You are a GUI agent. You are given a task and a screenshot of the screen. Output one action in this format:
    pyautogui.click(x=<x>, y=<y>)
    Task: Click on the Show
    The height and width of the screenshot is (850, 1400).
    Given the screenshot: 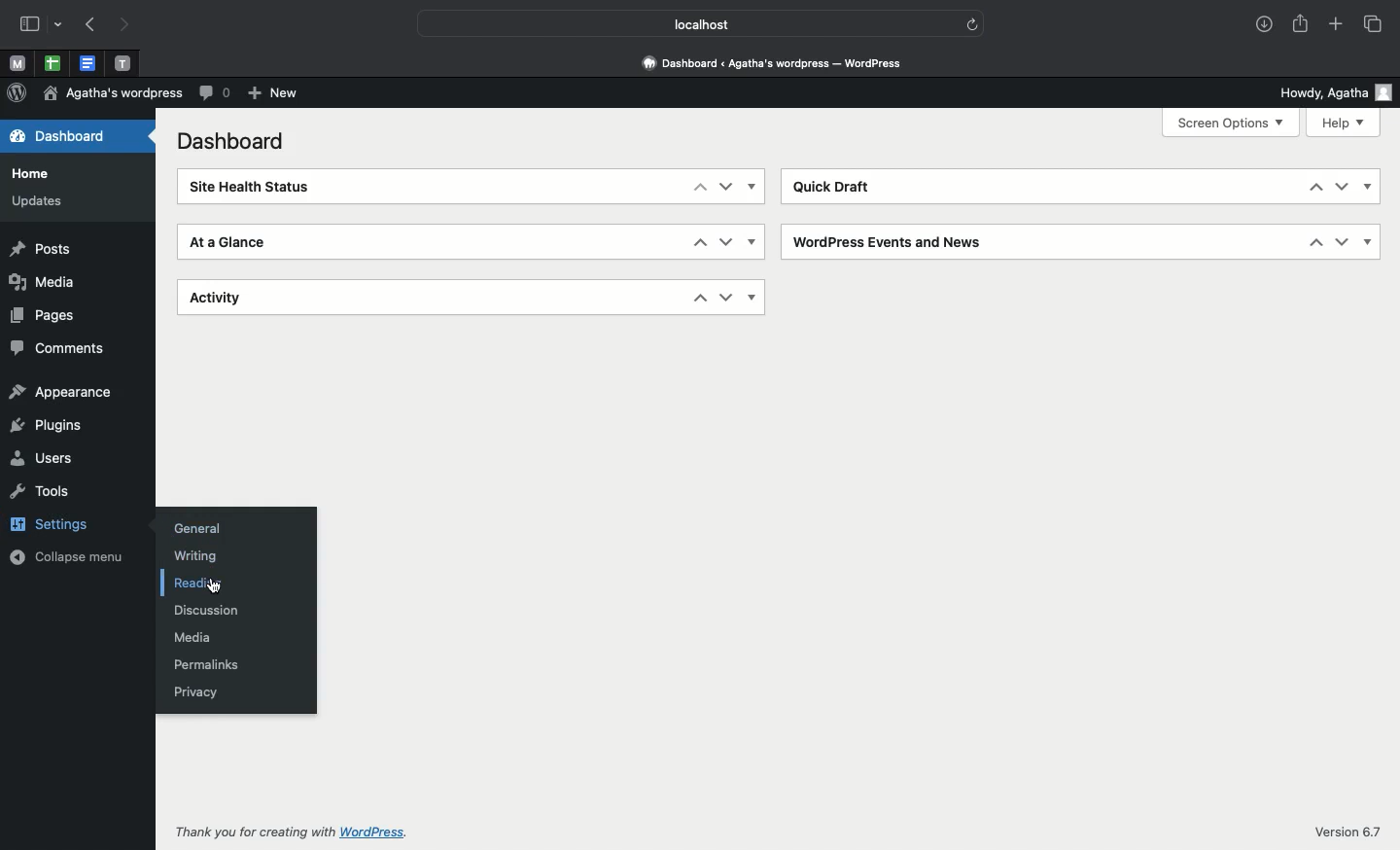 What is the action you would take?
    pyautogui.click(x=752, y=241)
    